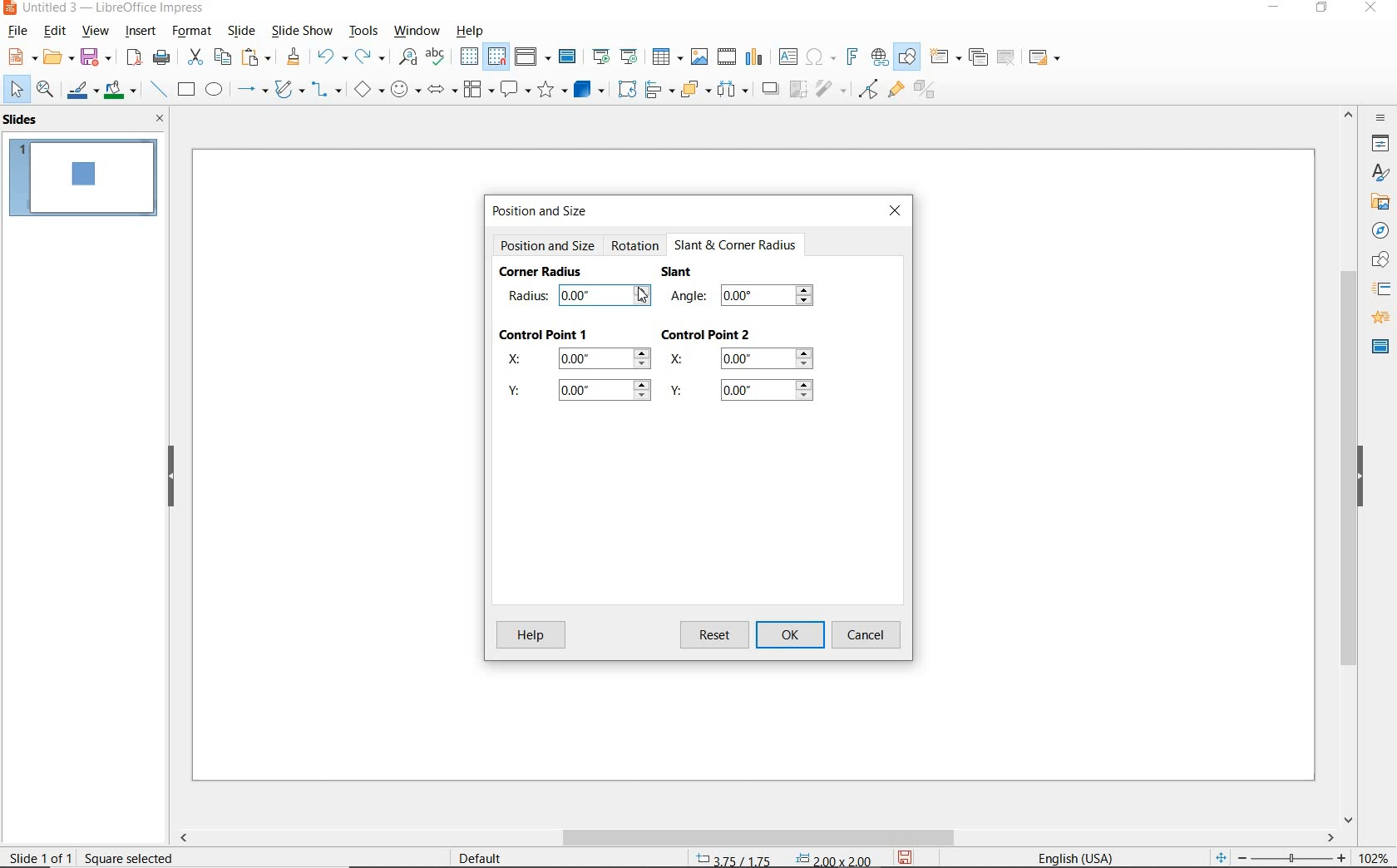 This screenshot has height=868, width=1397. I want to click on window, so click(419, 32).